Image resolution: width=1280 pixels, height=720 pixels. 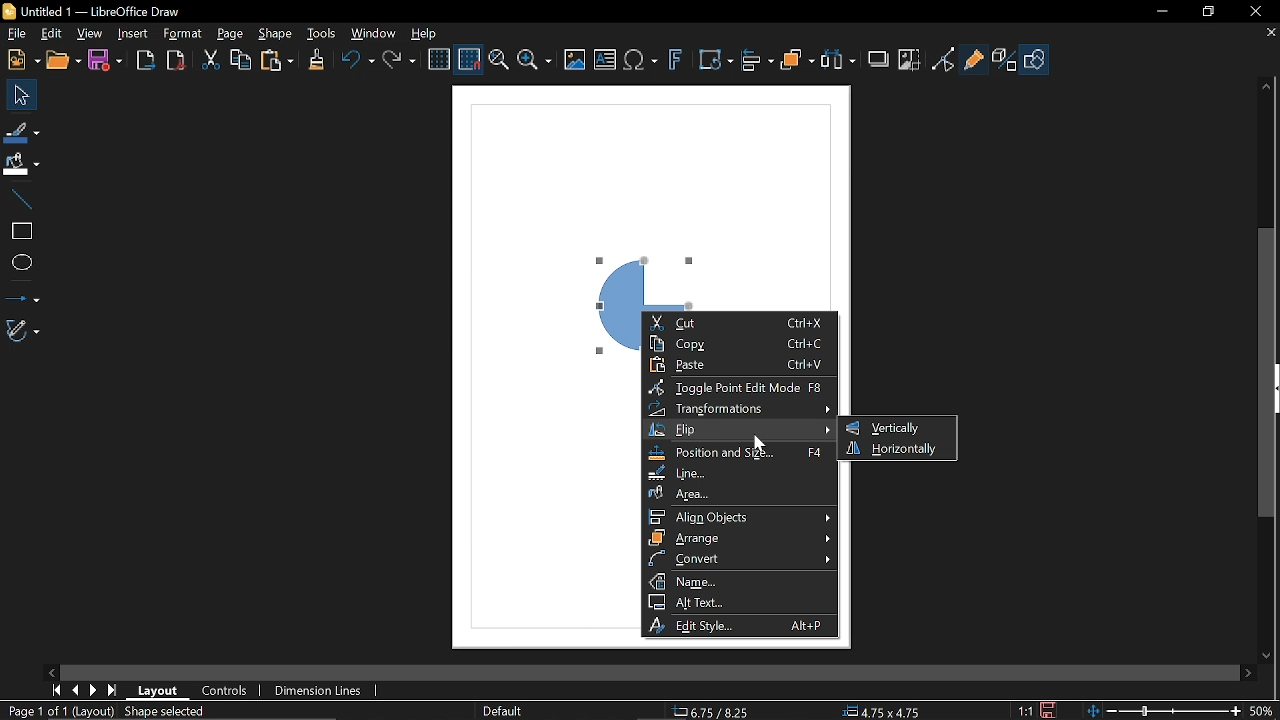 What do you see at coordinates (1494, 855) in the screenshot?
I see `cursor` at bounding box center [1494, 855].